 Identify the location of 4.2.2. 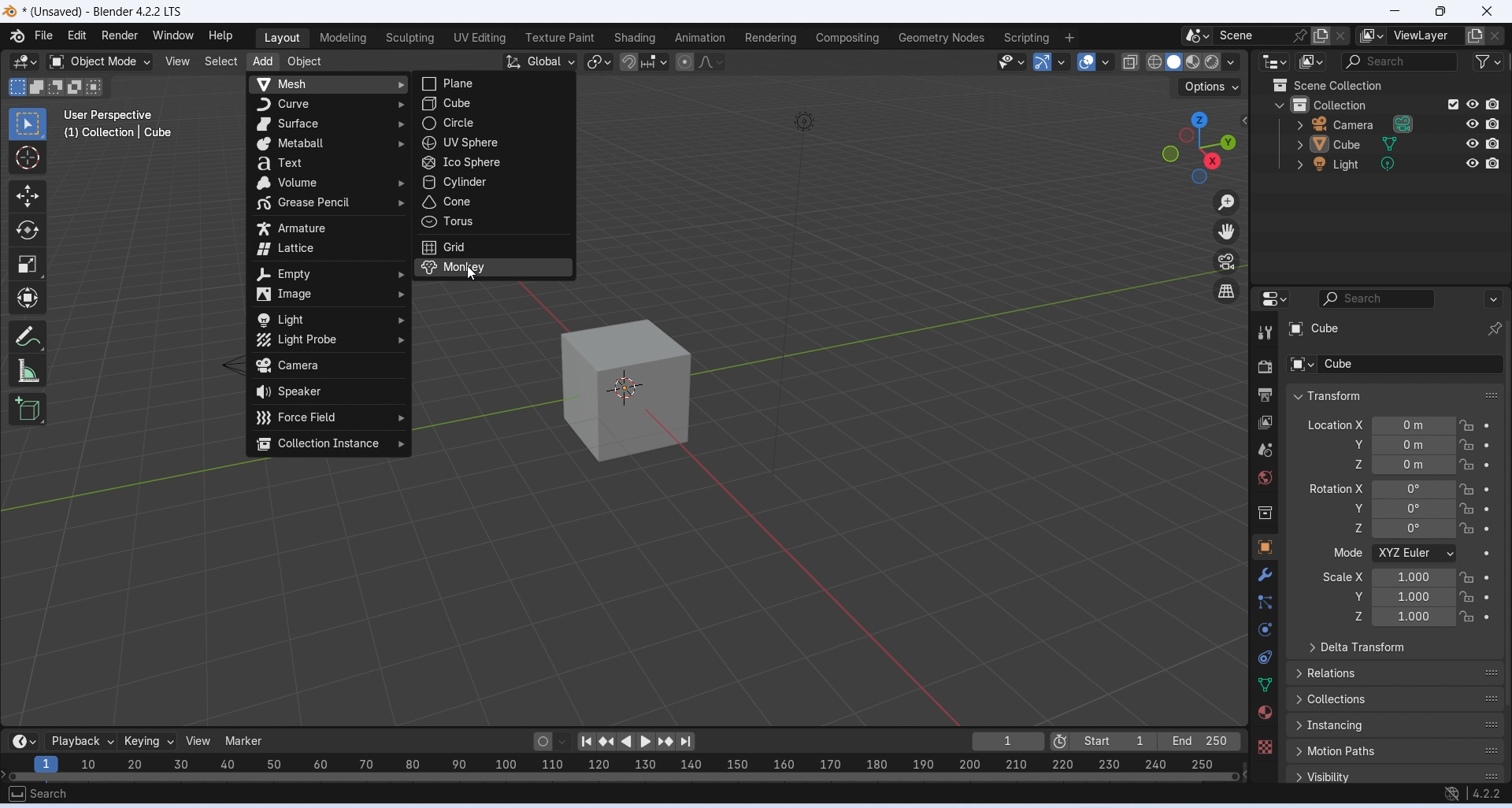
(1487, 793).